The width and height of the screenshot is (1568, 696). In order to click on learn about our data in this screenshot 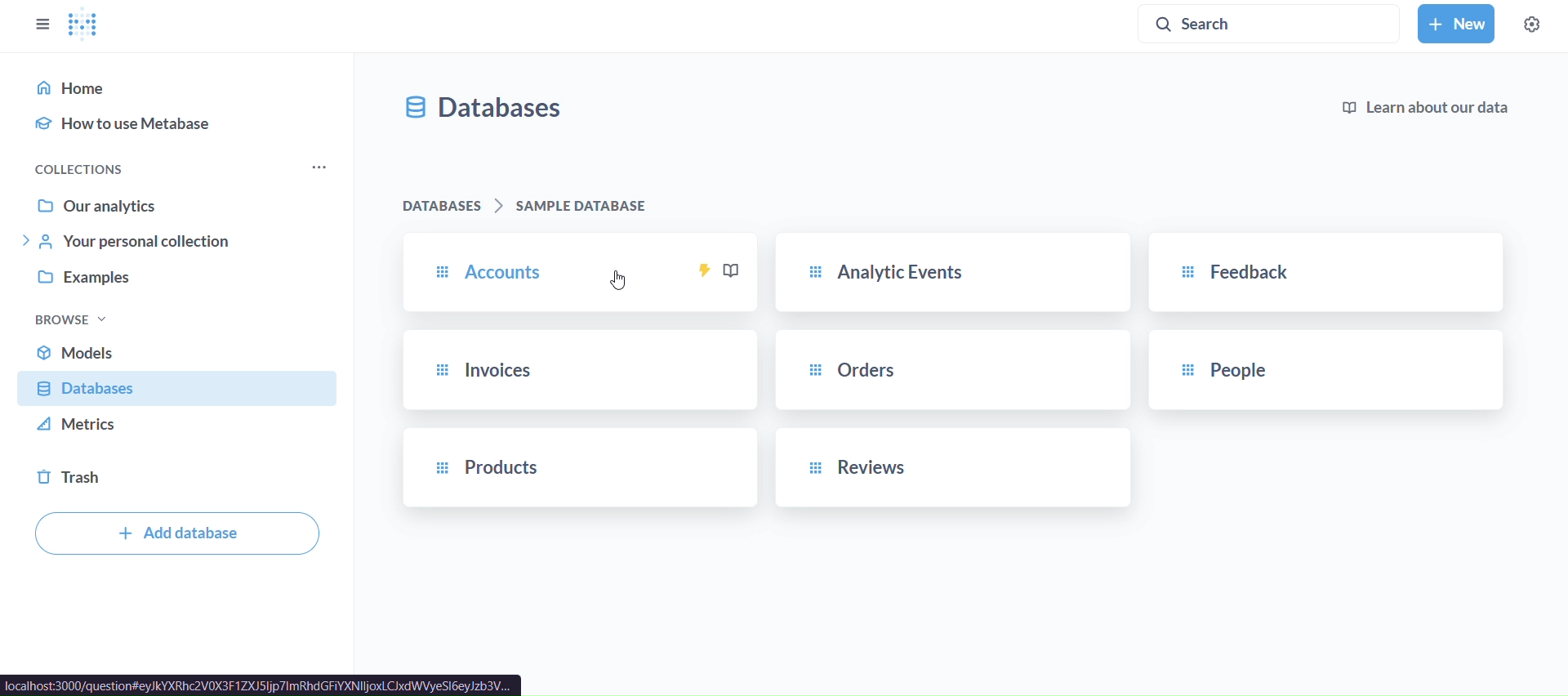, I will do `click(1423, 109)`.